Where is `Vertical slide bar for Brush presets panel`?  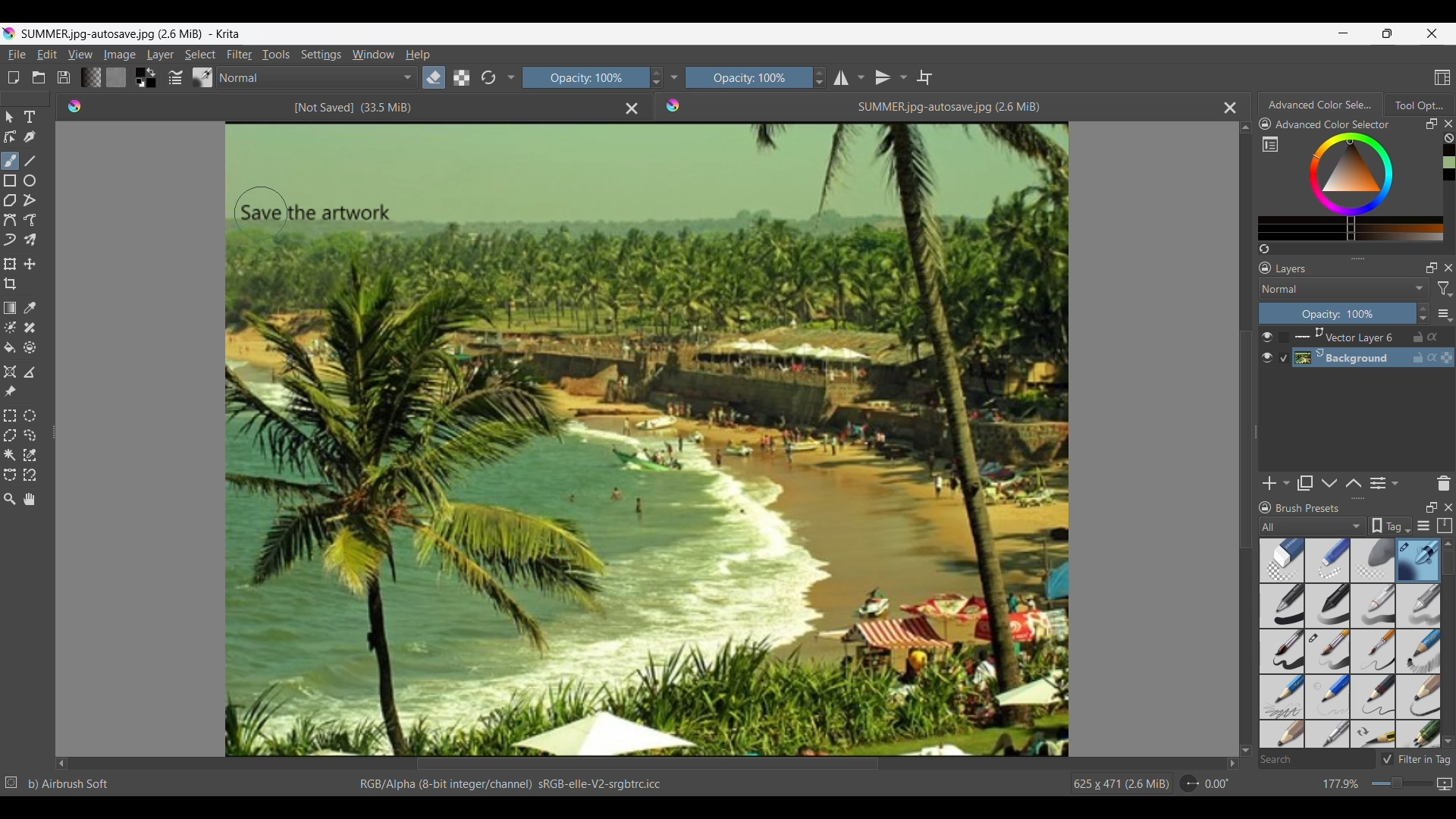 Vertical slide bar for Brush presets panel is located at coordinates (1448, 644).